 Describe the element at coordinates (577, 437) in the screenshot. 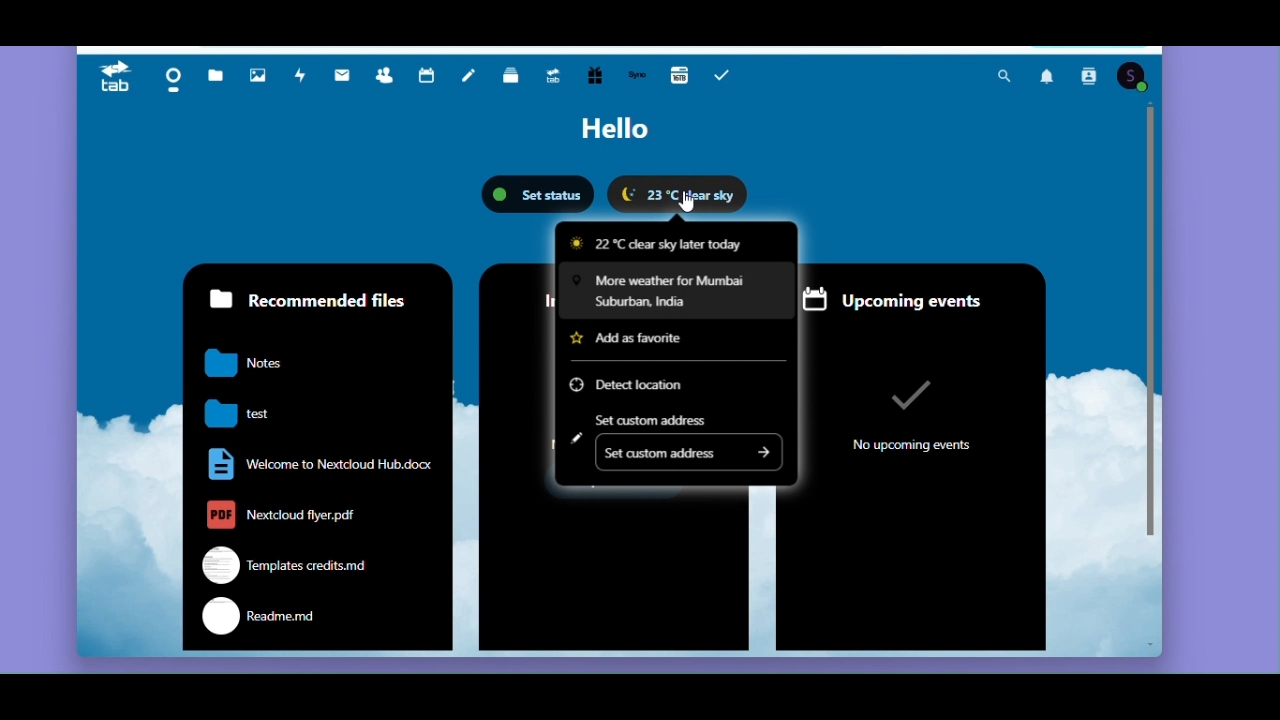

I see `Edit` at that location.